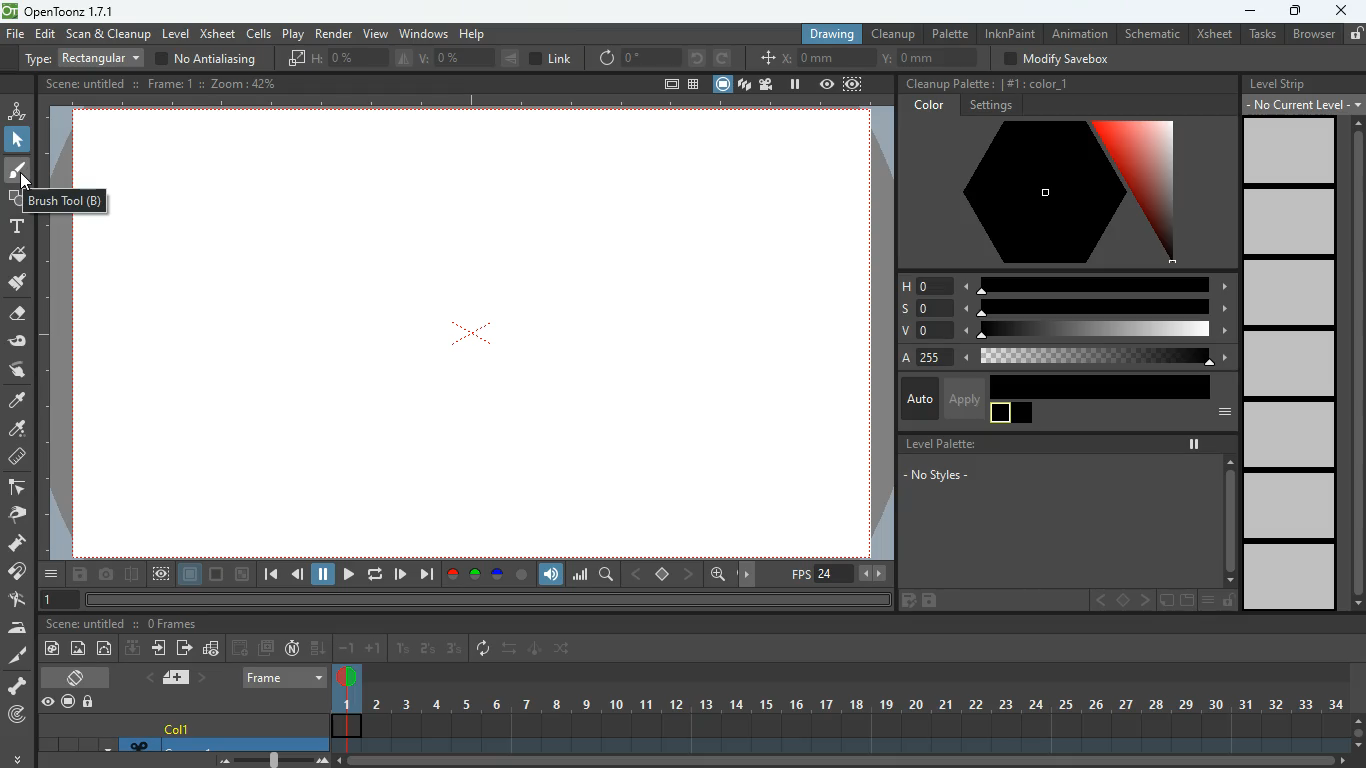 The width and height of the screenshot is (1366, 768). What do you see at coordinates (348, 576) in the screenshot?
I see `play` at bounding box center [348, 576].